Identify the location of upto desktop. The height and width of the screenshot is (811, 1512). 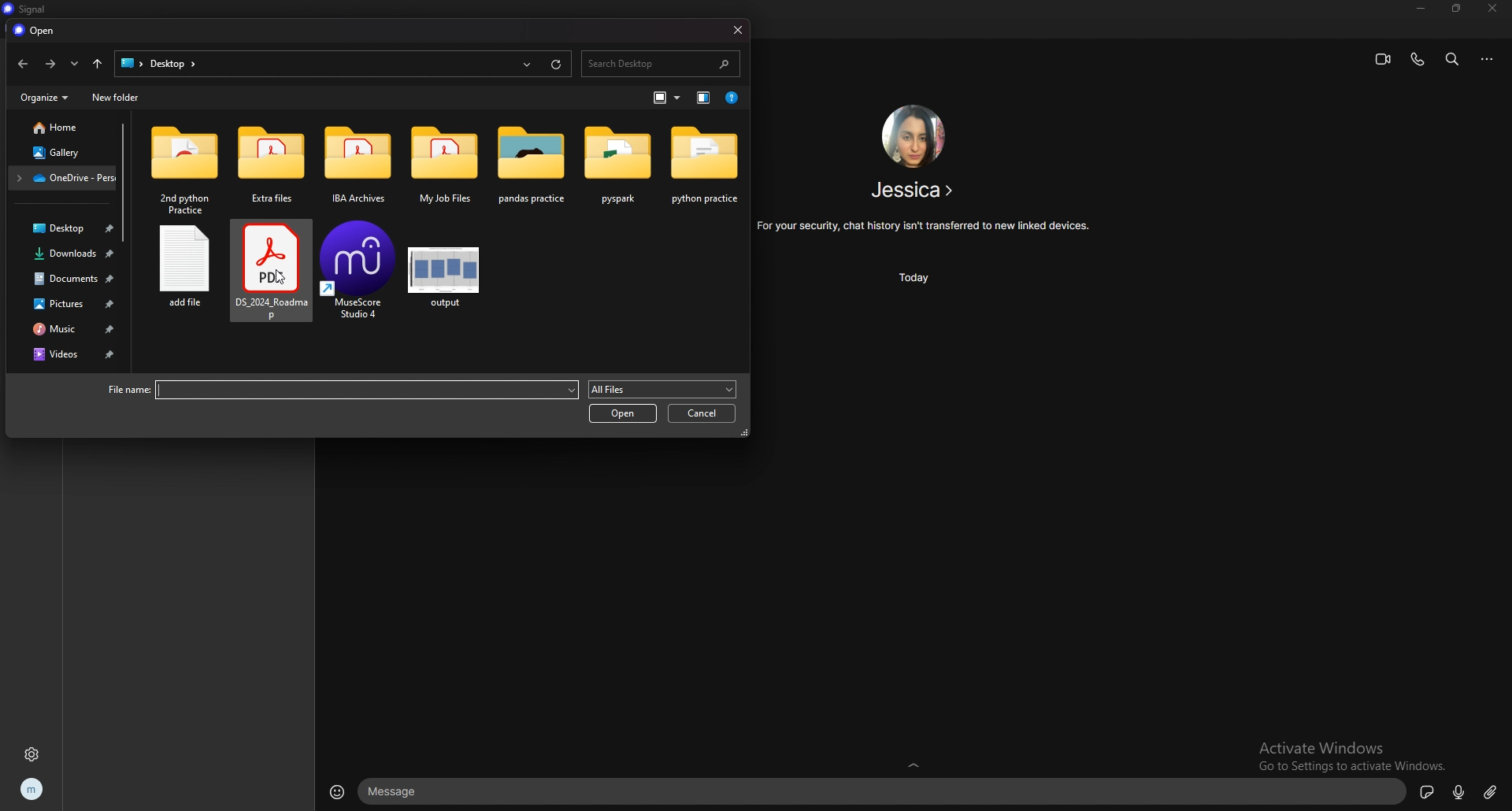
(97, 64).